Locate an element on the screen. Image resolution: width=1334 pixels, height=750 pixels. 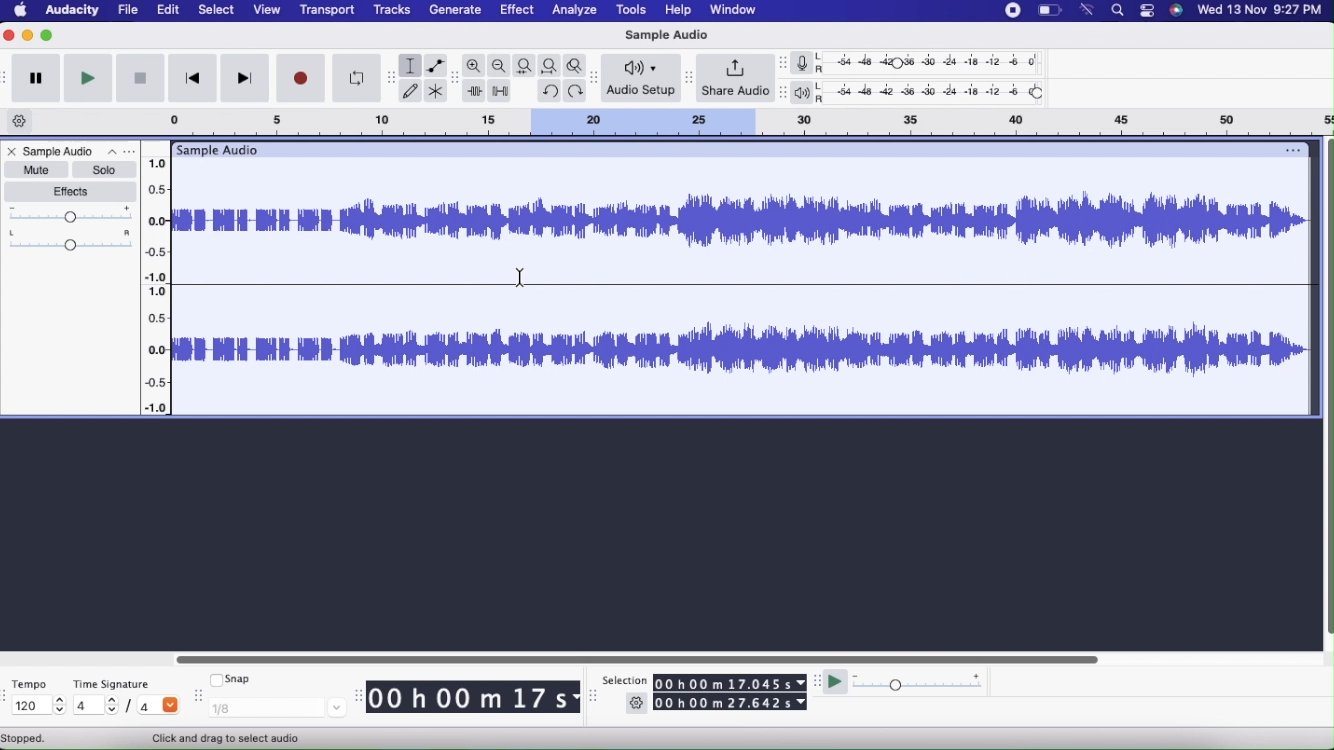
move toolbar is located at coordinates (597, 695).